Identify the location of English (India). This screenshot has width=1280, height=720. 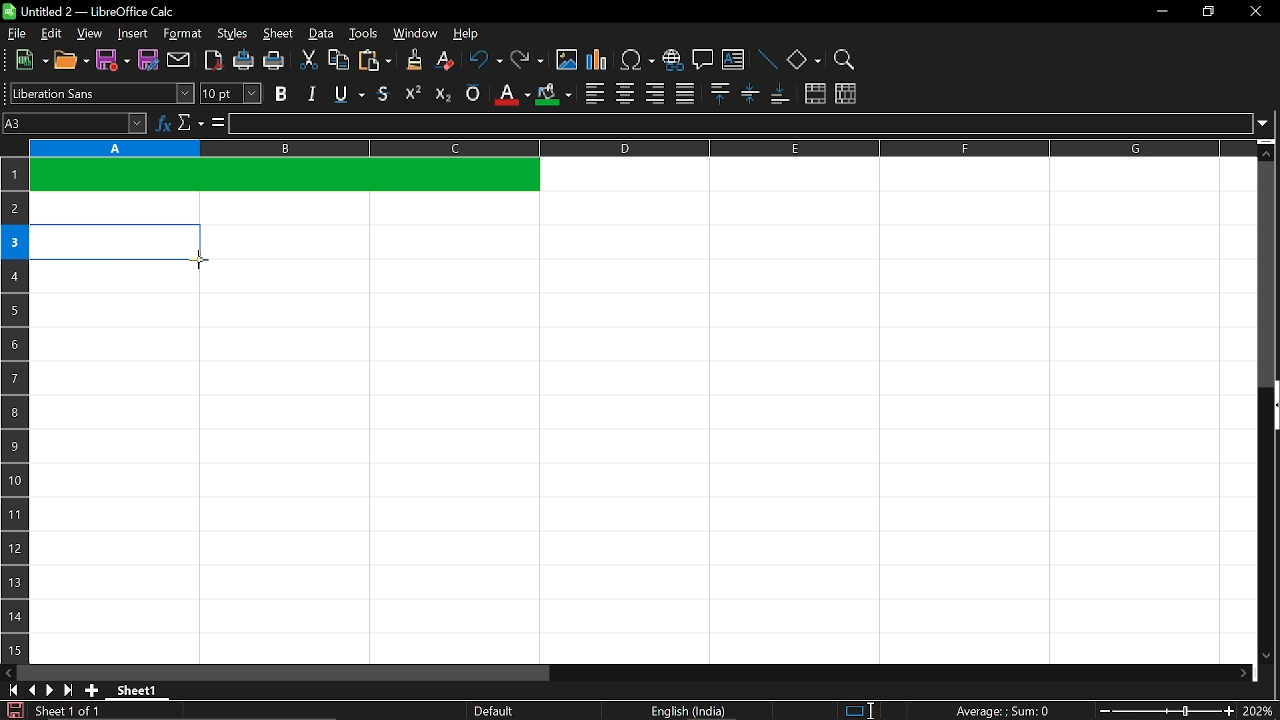
(690, 711).